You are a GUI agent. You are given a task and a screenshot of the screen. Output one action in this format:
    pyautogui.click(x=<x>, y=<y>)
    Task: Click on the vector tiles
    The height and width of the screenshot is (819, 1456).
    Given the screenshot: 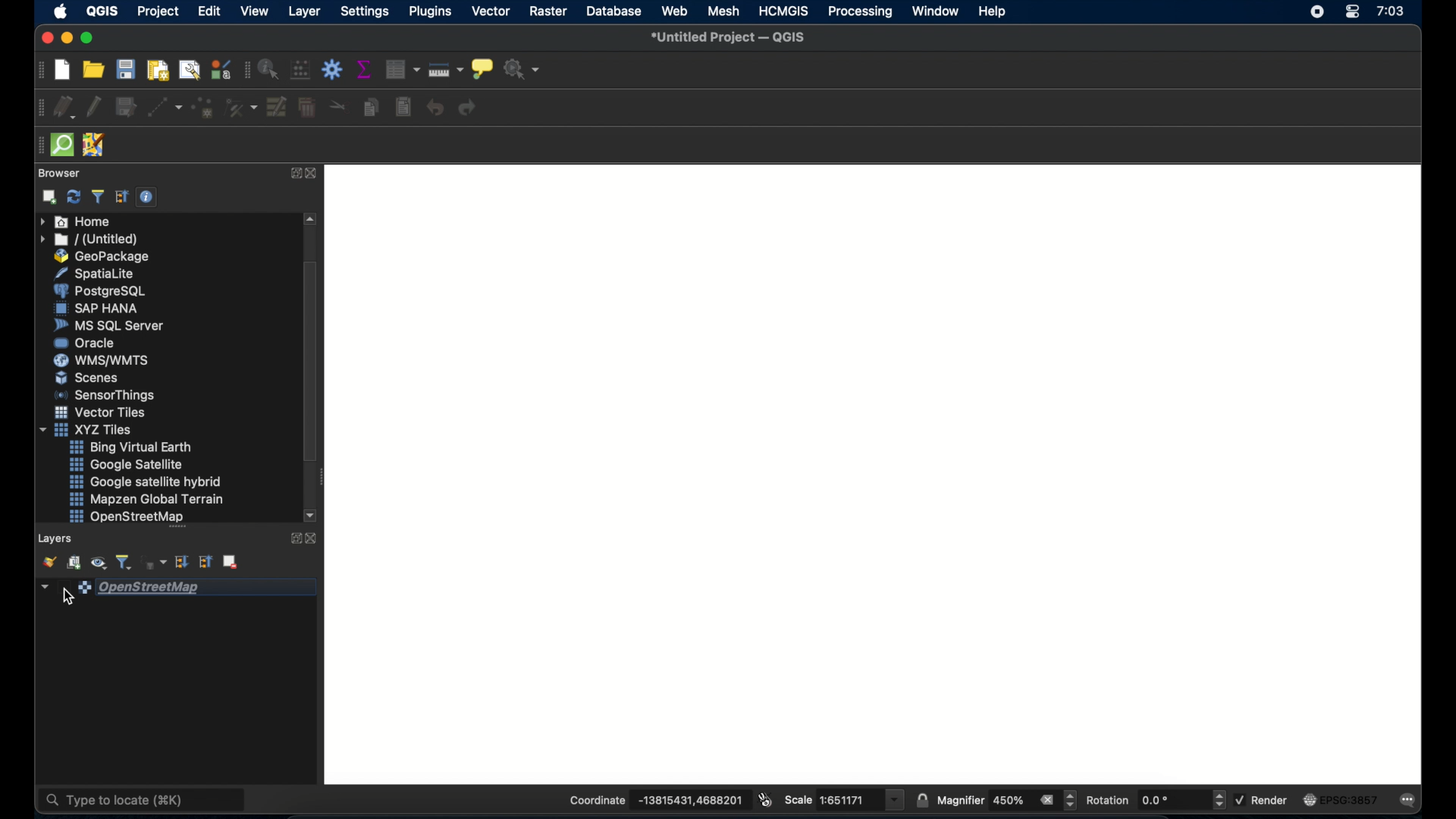 What is the action you would take?
    pyautogui.click(x=100, y=413)
    